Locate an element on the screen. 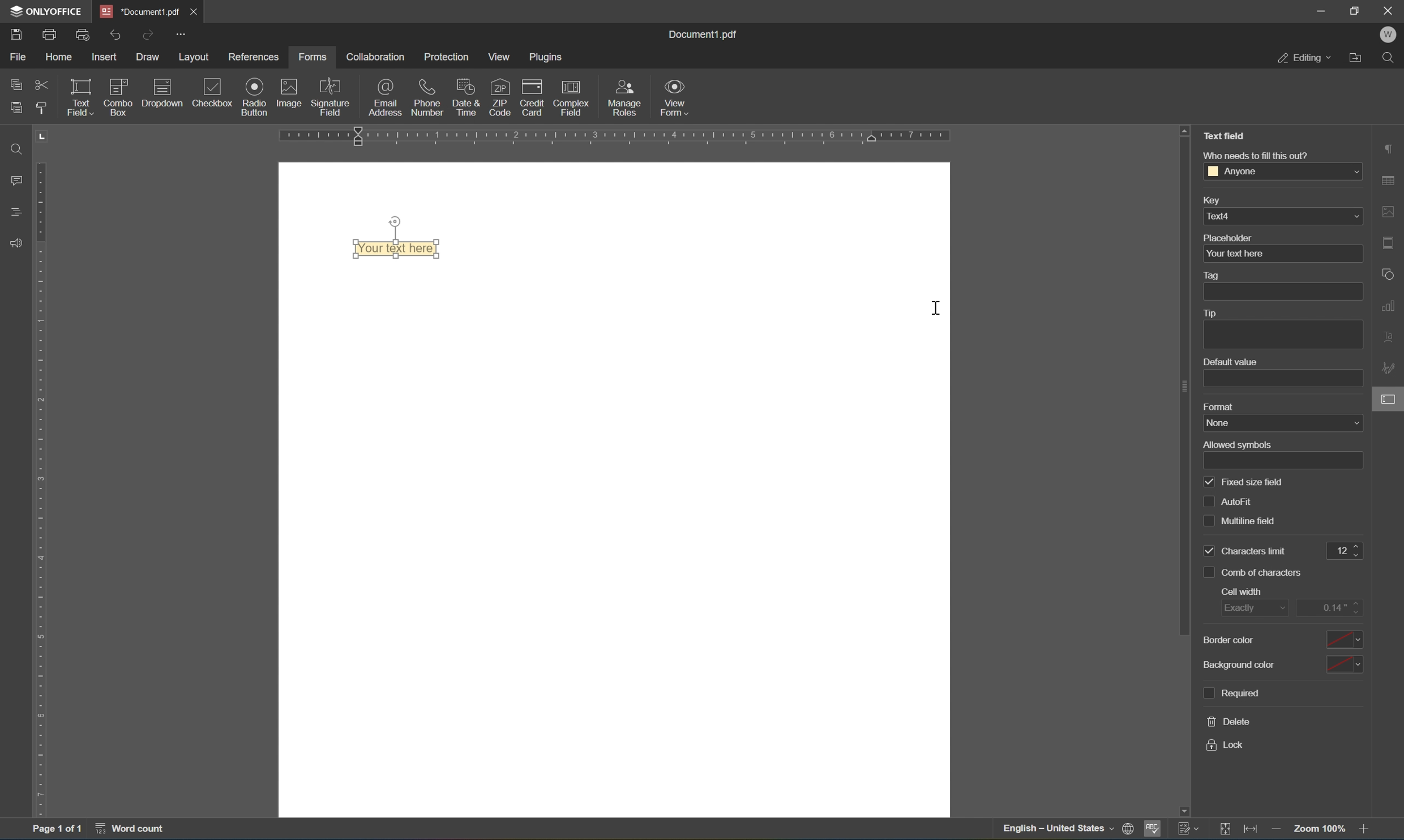  scroll down is located at coordinates (1187, 808).